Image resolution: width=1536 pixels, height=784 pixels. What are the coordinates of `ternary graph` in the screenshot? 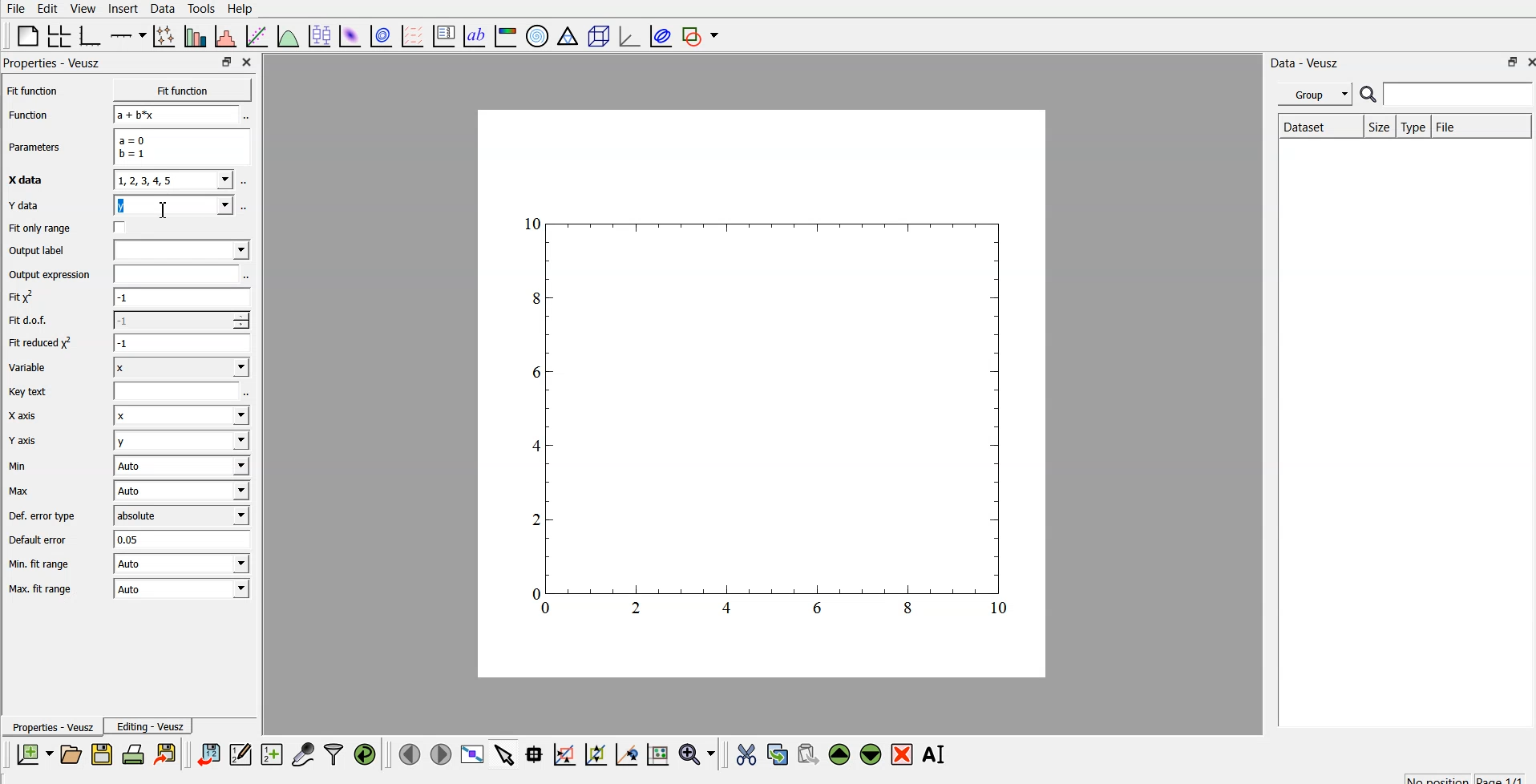 It's located at (568, 38).